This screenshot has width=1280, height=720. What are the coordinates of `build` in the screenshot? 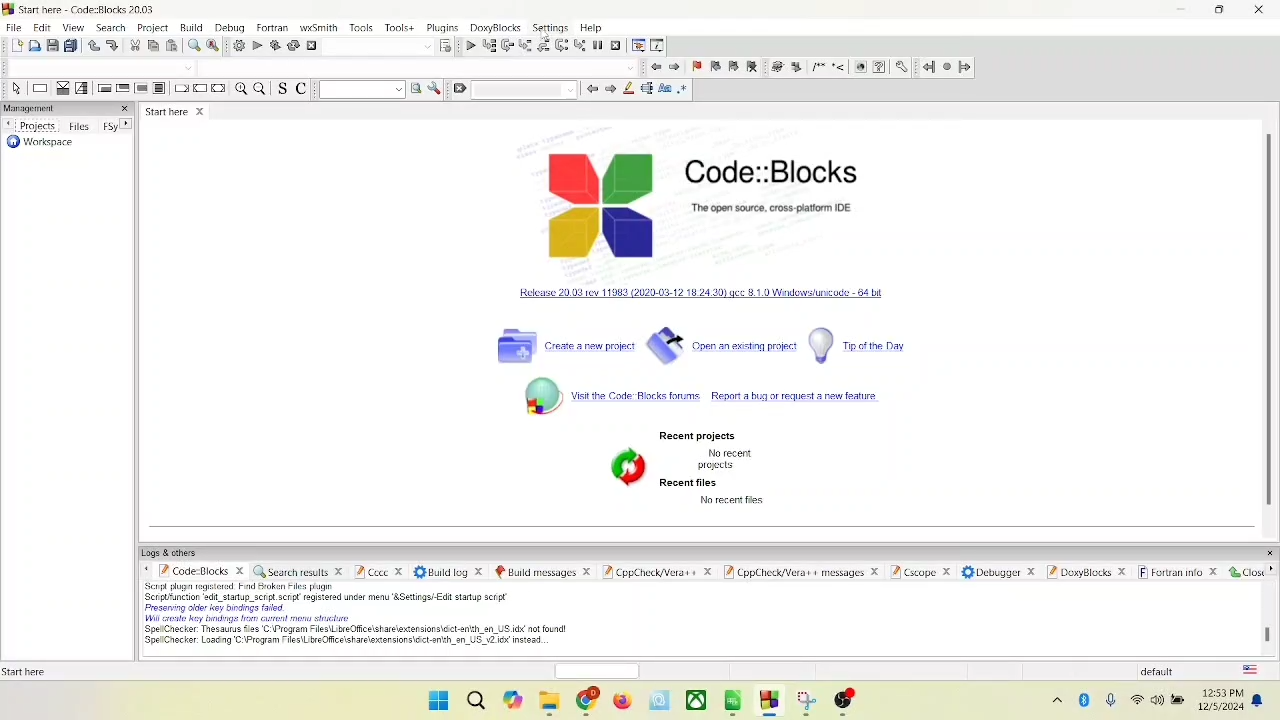 It's located at (192, 26).